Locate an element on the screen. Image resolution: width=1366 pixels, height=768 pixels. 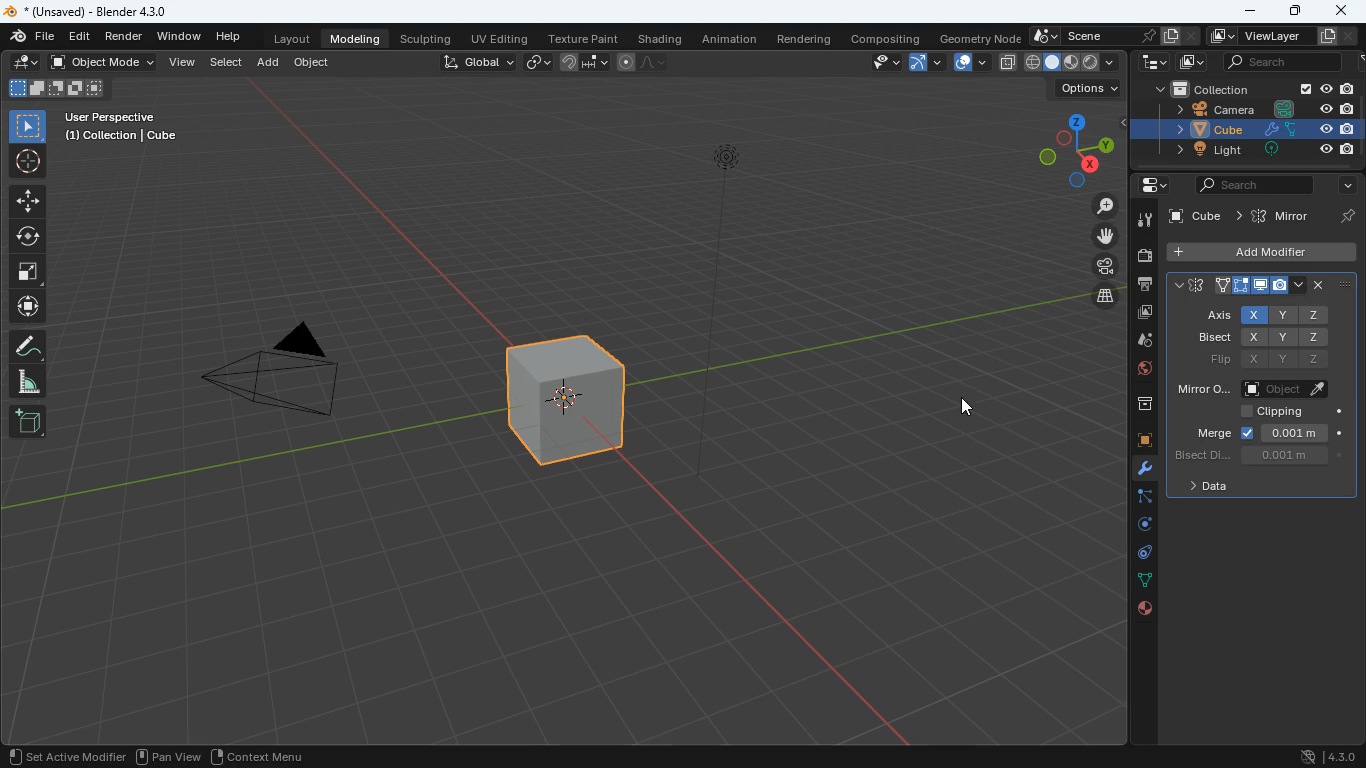
 is located at coordinates (1345, 129).